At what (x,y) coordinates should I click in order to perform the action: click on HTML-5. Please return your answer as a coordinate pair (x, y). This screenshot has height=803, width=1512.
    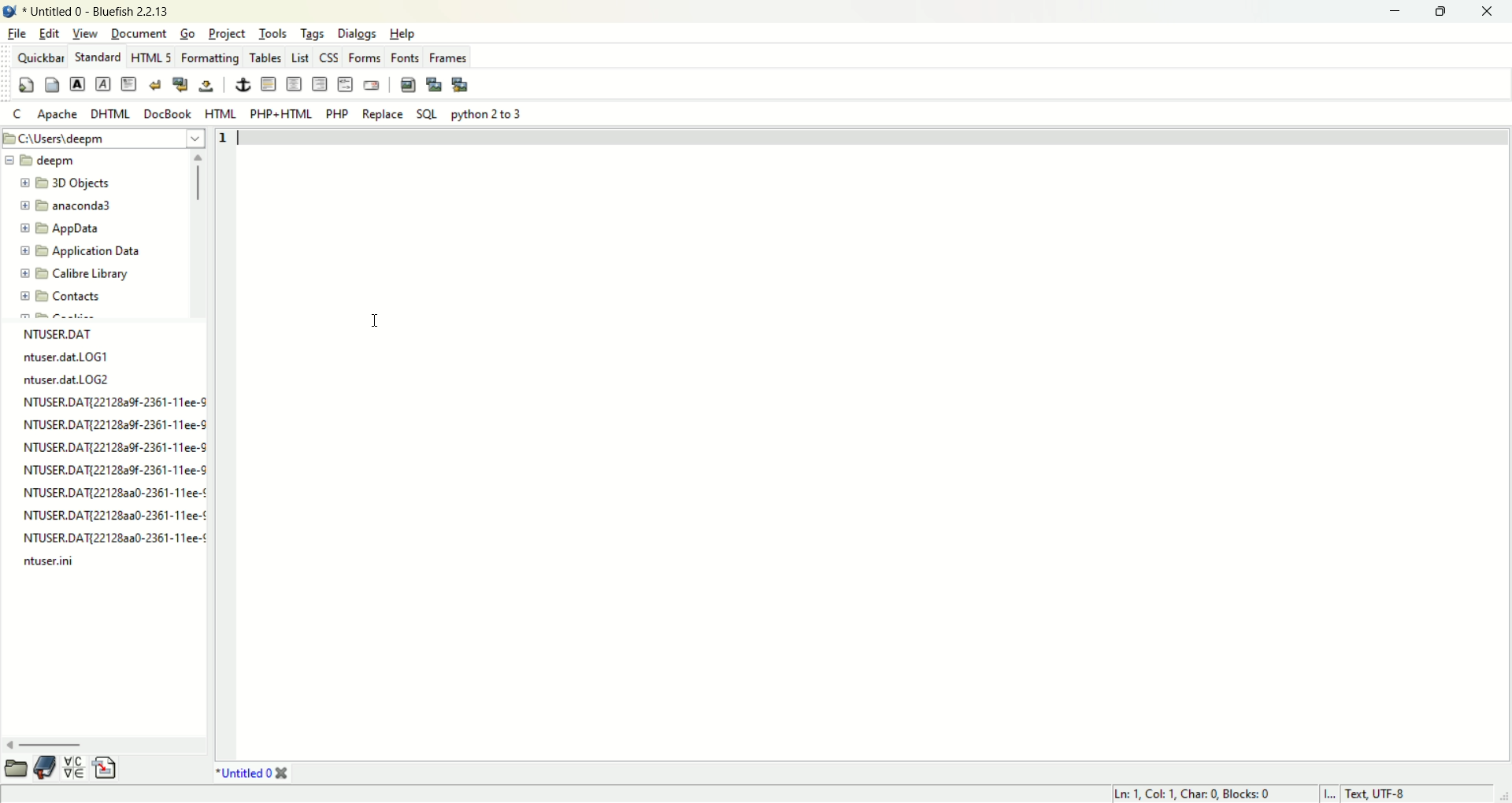
    Looking at the image, I should click on (152, 60).